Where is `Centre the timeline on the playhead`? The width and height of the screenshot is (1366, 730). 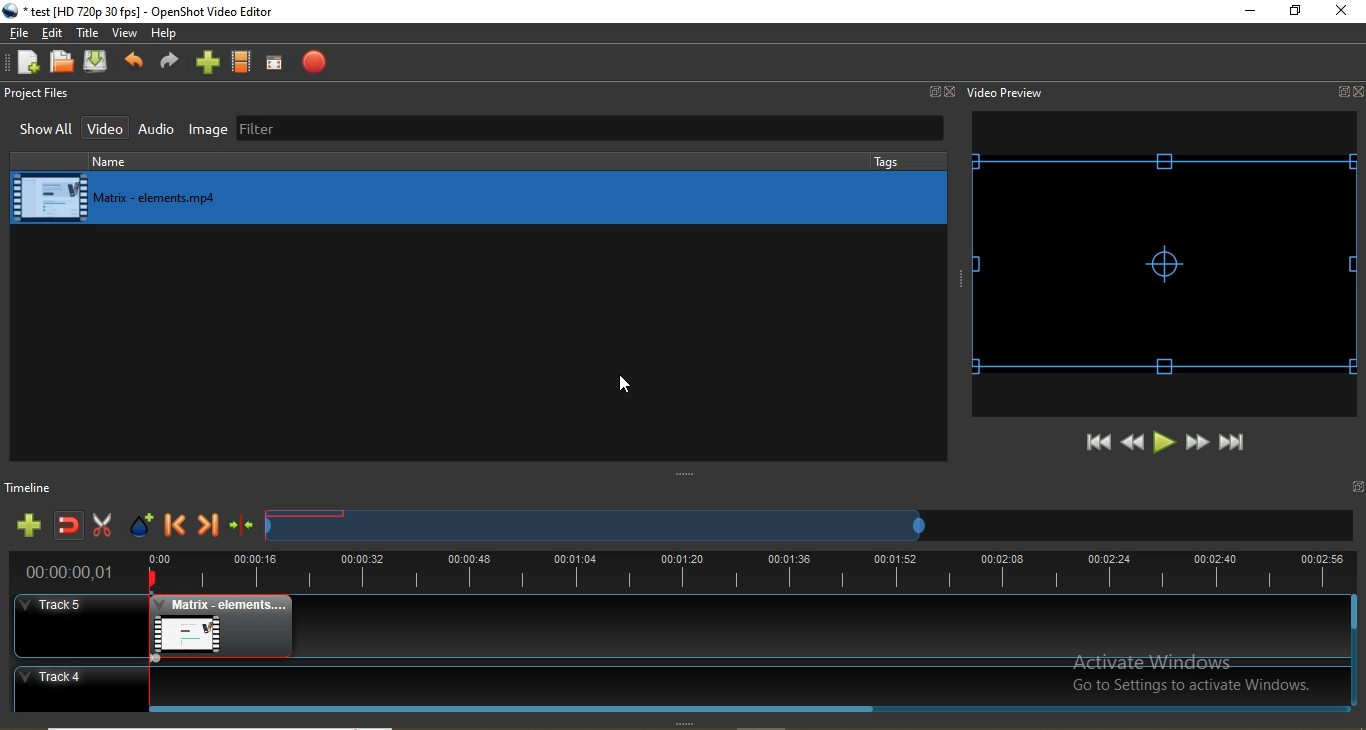 Centre the timeline on the playhead is located at coordinates (242, 529).